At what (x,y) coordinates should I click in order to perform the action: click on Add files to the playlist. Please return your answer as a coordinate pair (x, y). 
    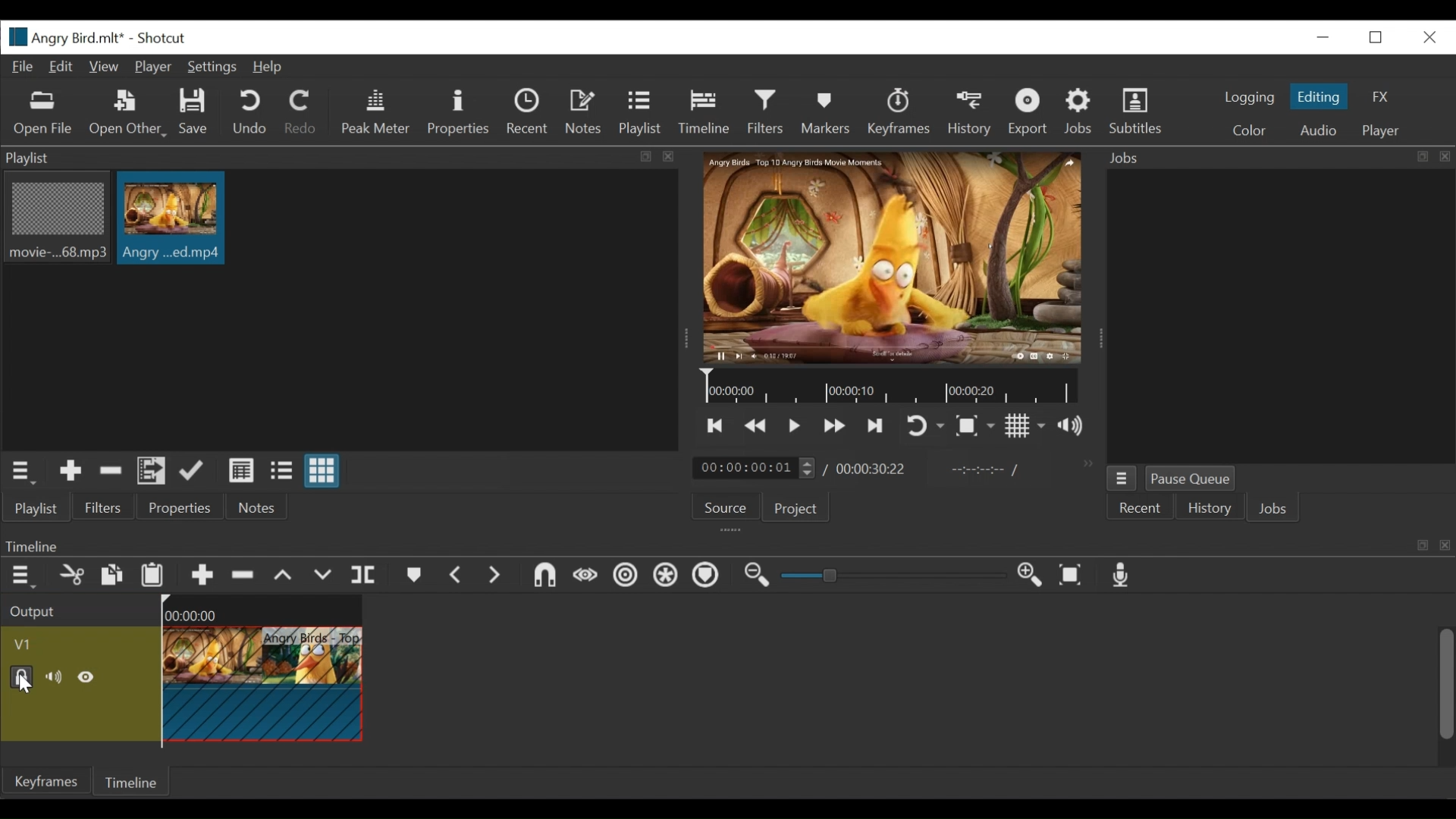
    Looking at the image, I should click on (152, 472).